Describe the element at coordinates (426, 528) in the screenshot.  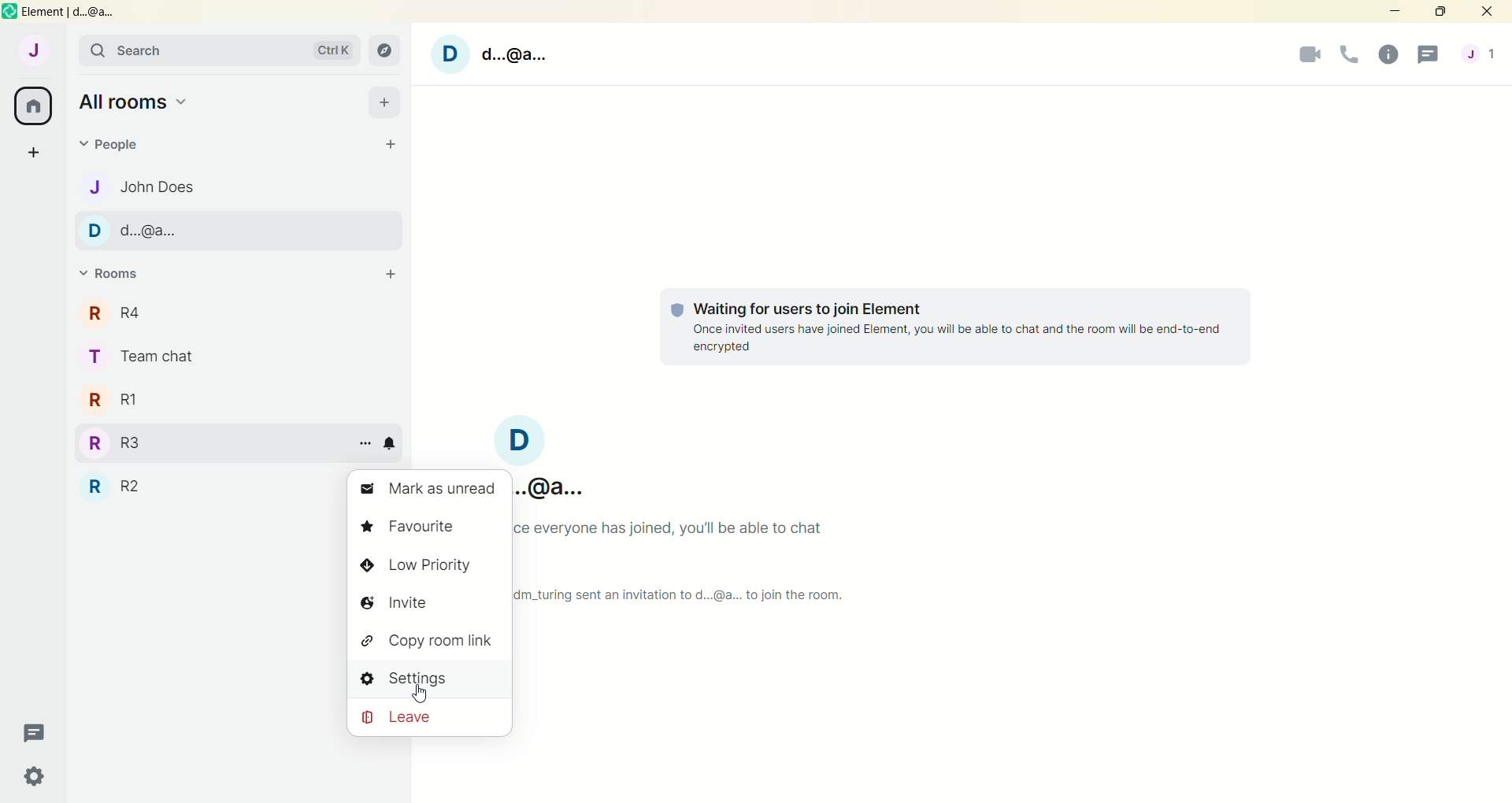
I see `favorite` at that location.